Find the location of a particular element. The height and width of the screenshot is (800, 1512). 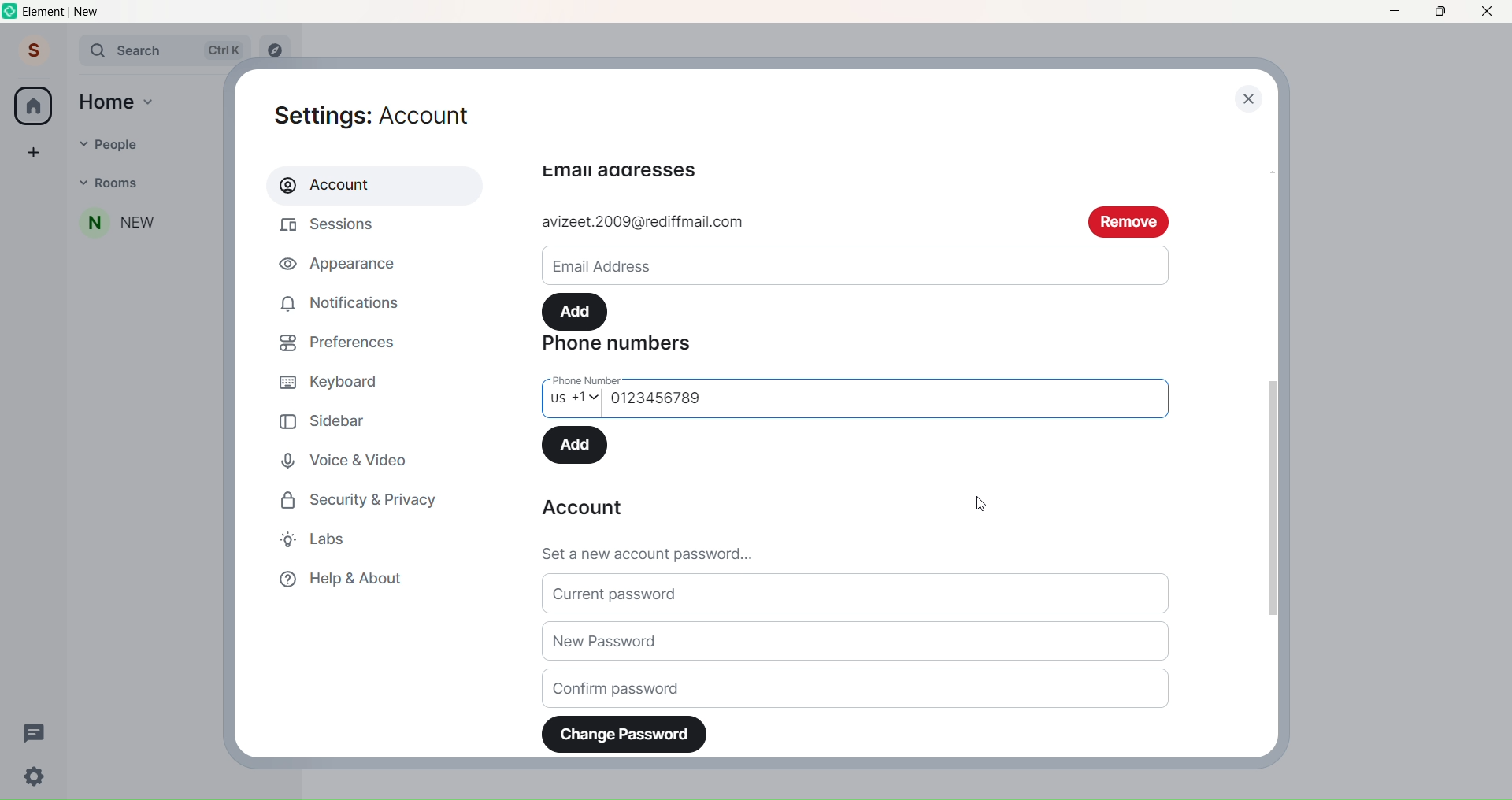

Notifications is located at coordinates (346, 300).